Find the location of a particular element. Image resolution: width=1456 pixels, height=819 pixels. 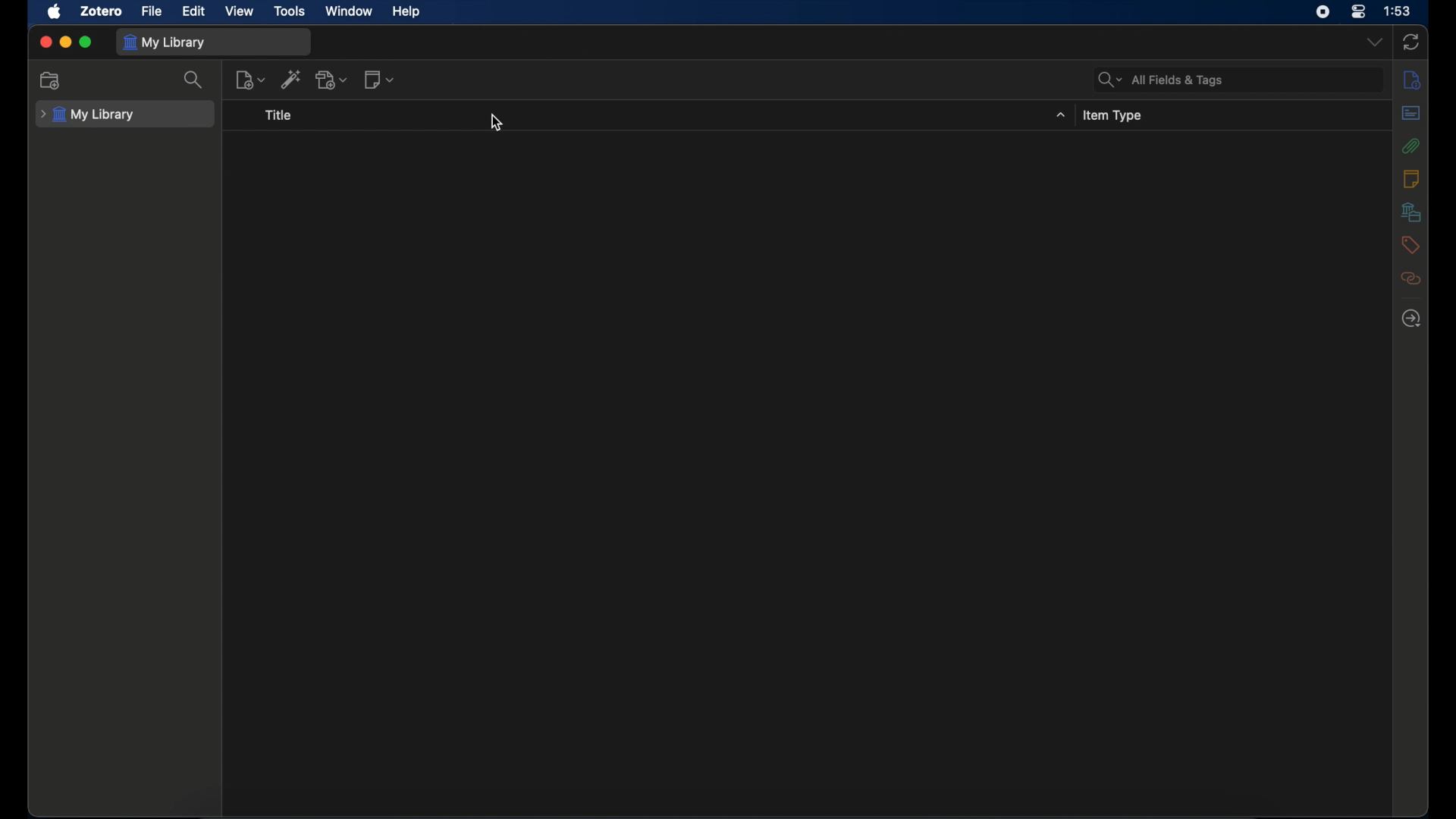

zotero is located at coordinates (102, 11).